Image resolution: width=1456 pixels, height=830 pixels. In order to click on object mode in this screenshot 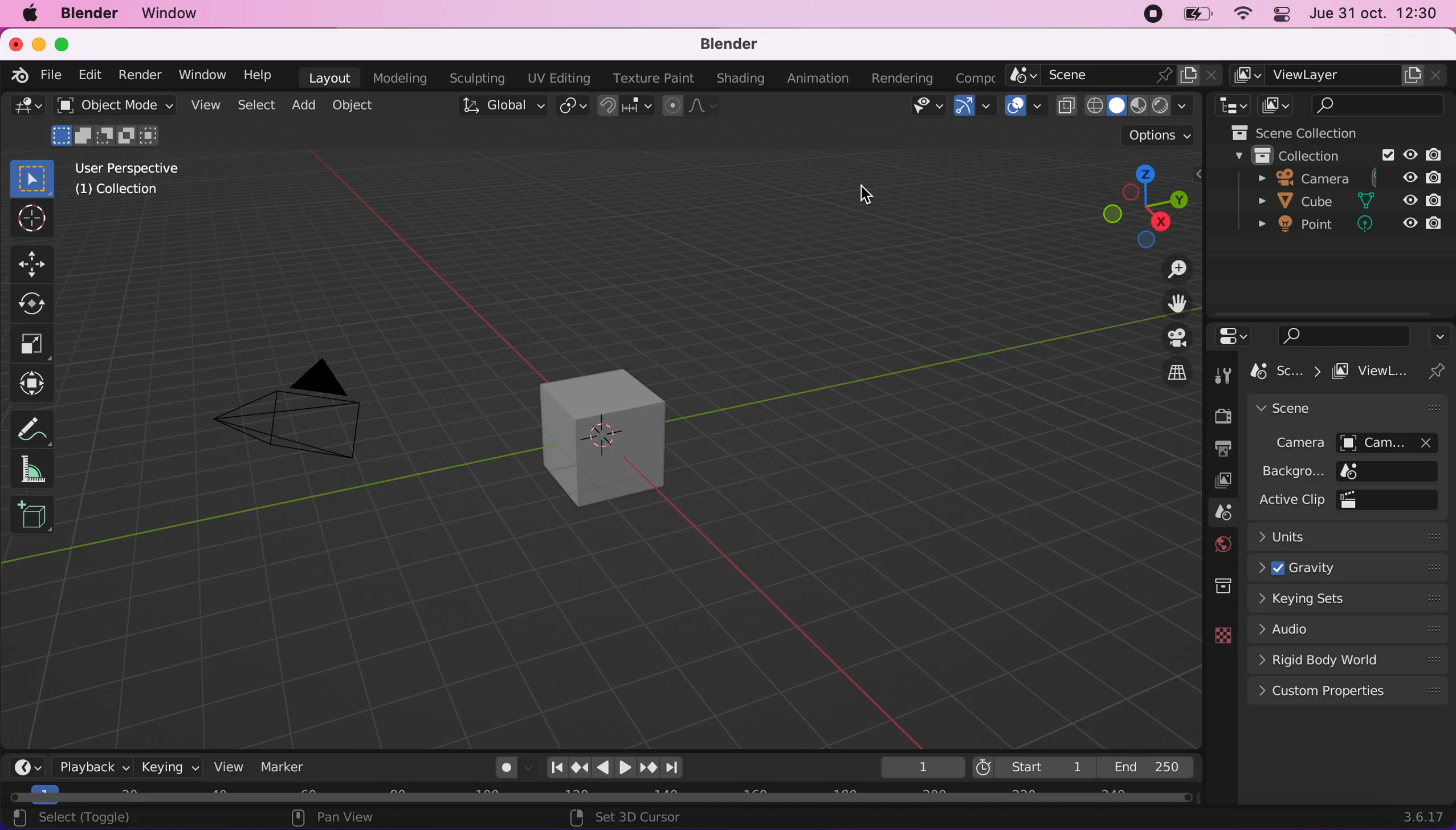, I will do `click(116, 123)`.